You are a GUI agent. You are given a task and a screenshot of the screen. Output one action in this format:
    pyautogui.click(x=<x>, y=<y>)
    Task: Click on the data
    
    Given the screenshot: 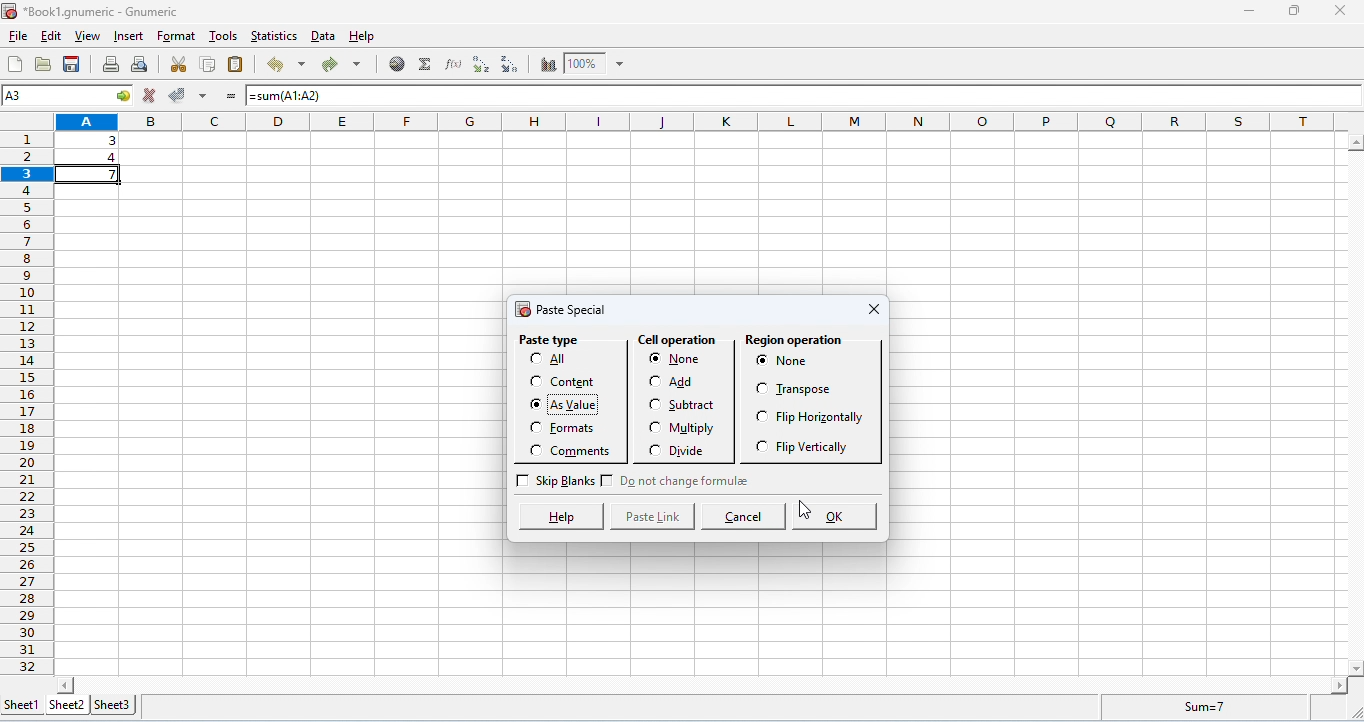 What is the action you would take?
    pyautogui.click(x=323, y=37)
    